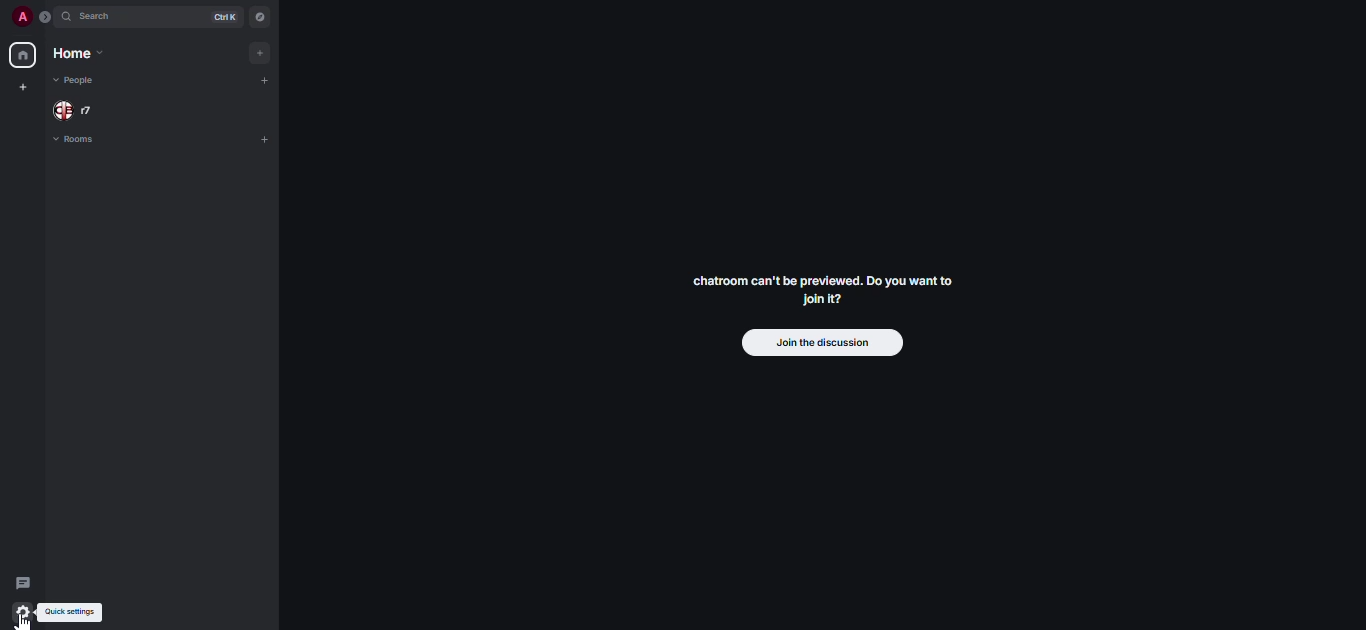 The width and height of the screenshot is (1366, 630). I want to click on ctrl K, so click(225, 14).